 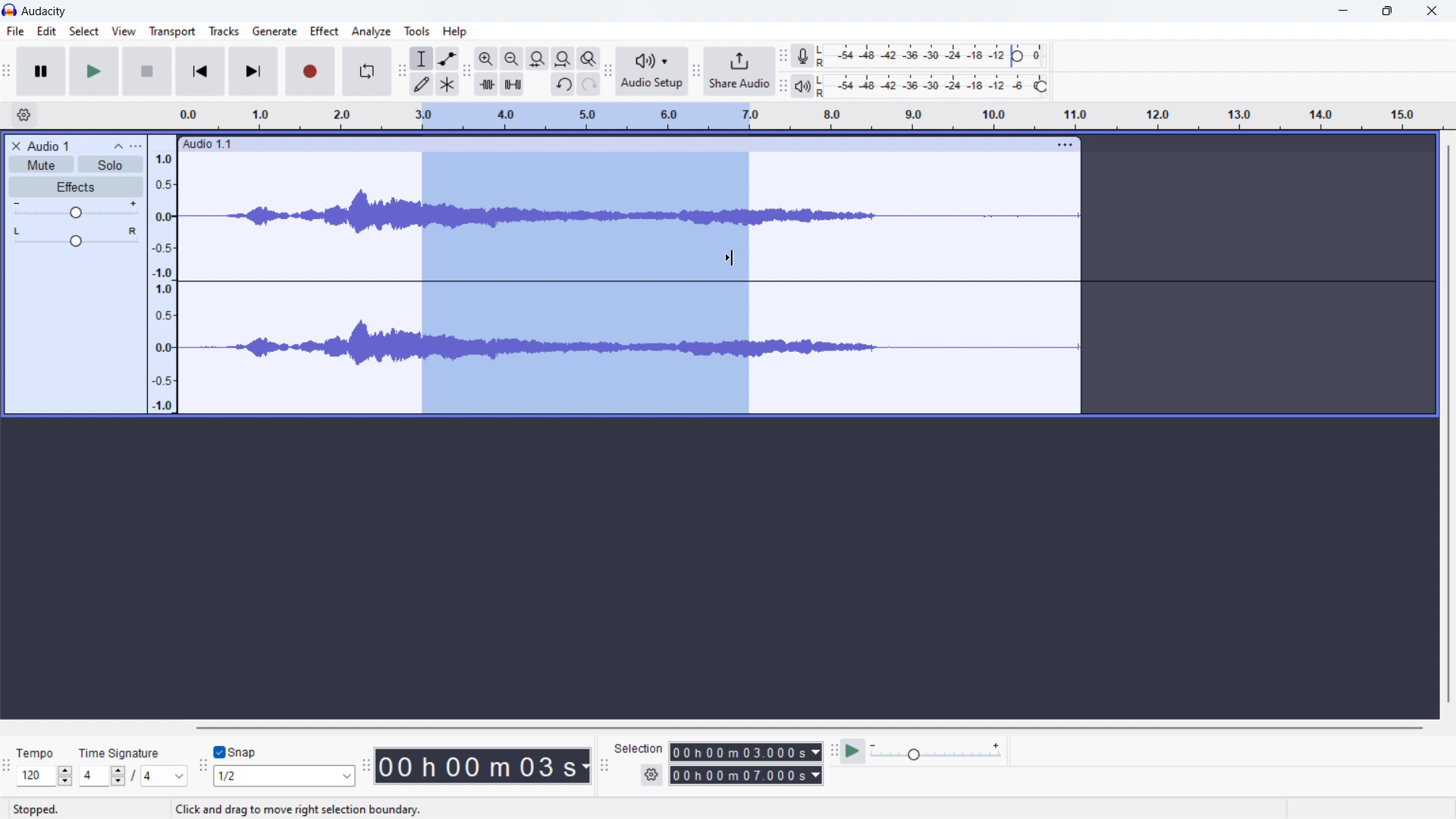 I want to click on mute, so click(x=41, y=165).